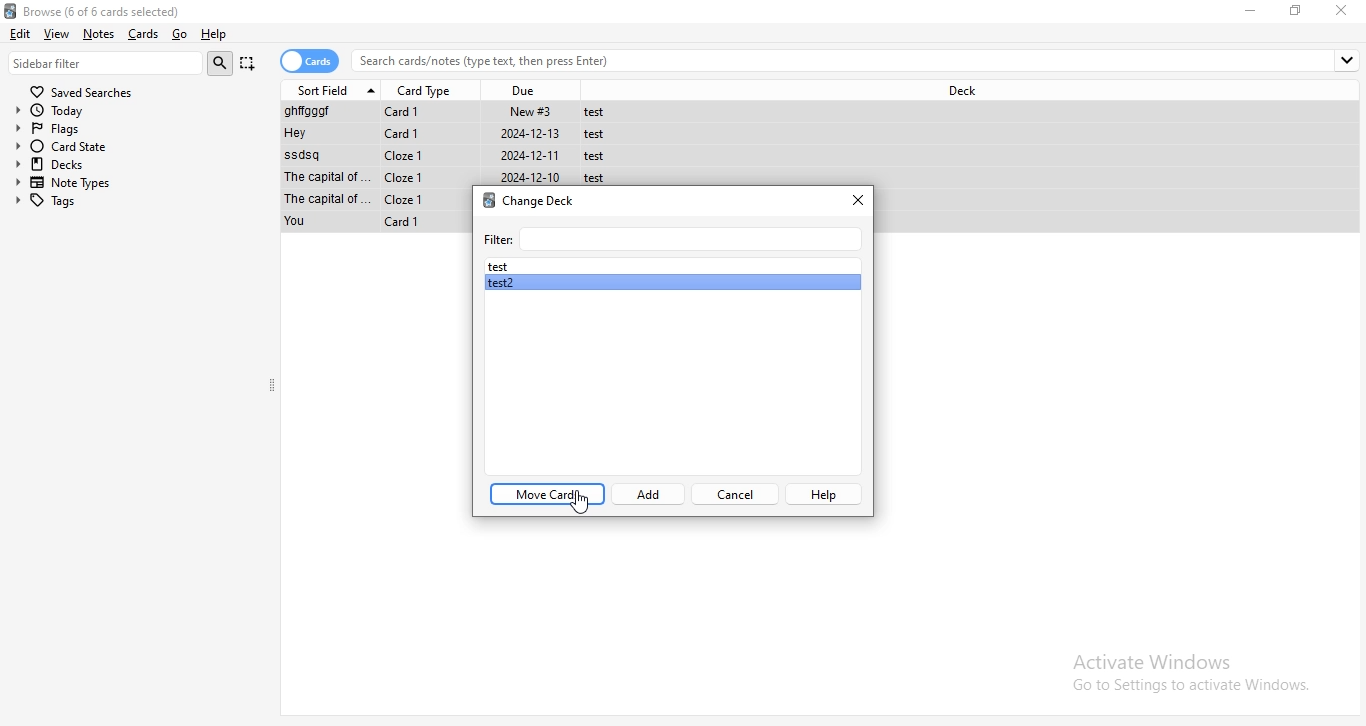 The width and height of the screenshot is (1366, 726). What do you see at coordinates (131, 111) in the screenshot?
I see `today` at bounding box center [131, 111].